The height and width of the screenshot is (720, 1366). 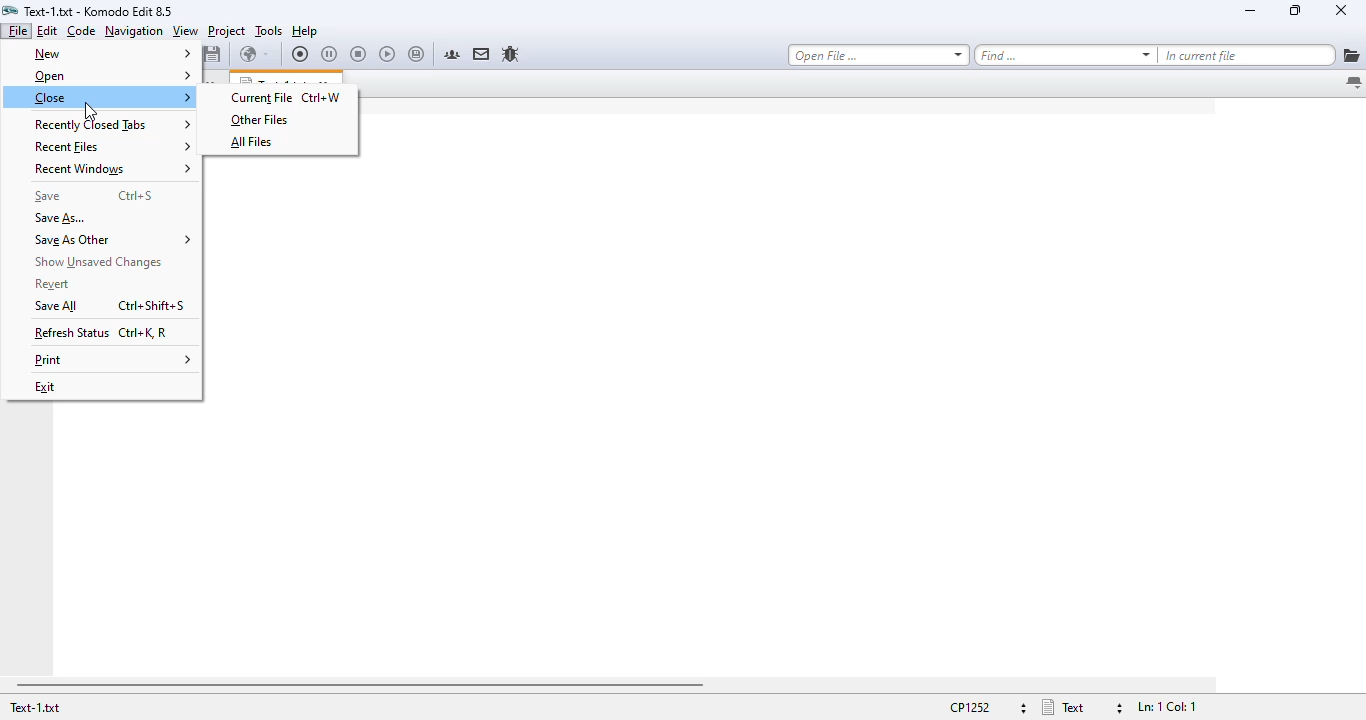 I want to click on shortcut for save, so click(x=136, y=195).